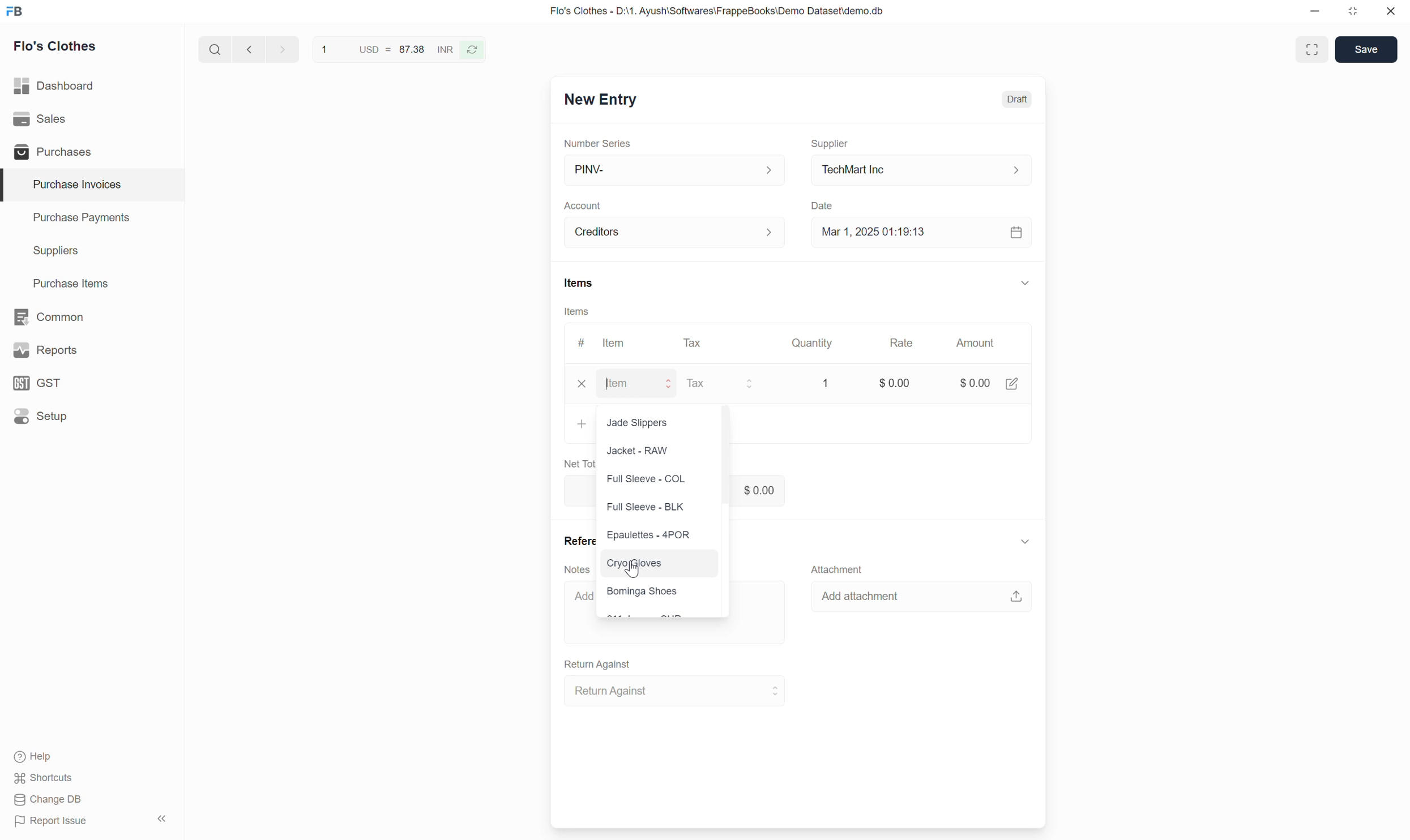 Image resolution: width=1410 pixels, height=840 pixels. What do you see at coordinates (903, 342) in the screenshot?
I see `Rate` at bounding box center [903, 342].